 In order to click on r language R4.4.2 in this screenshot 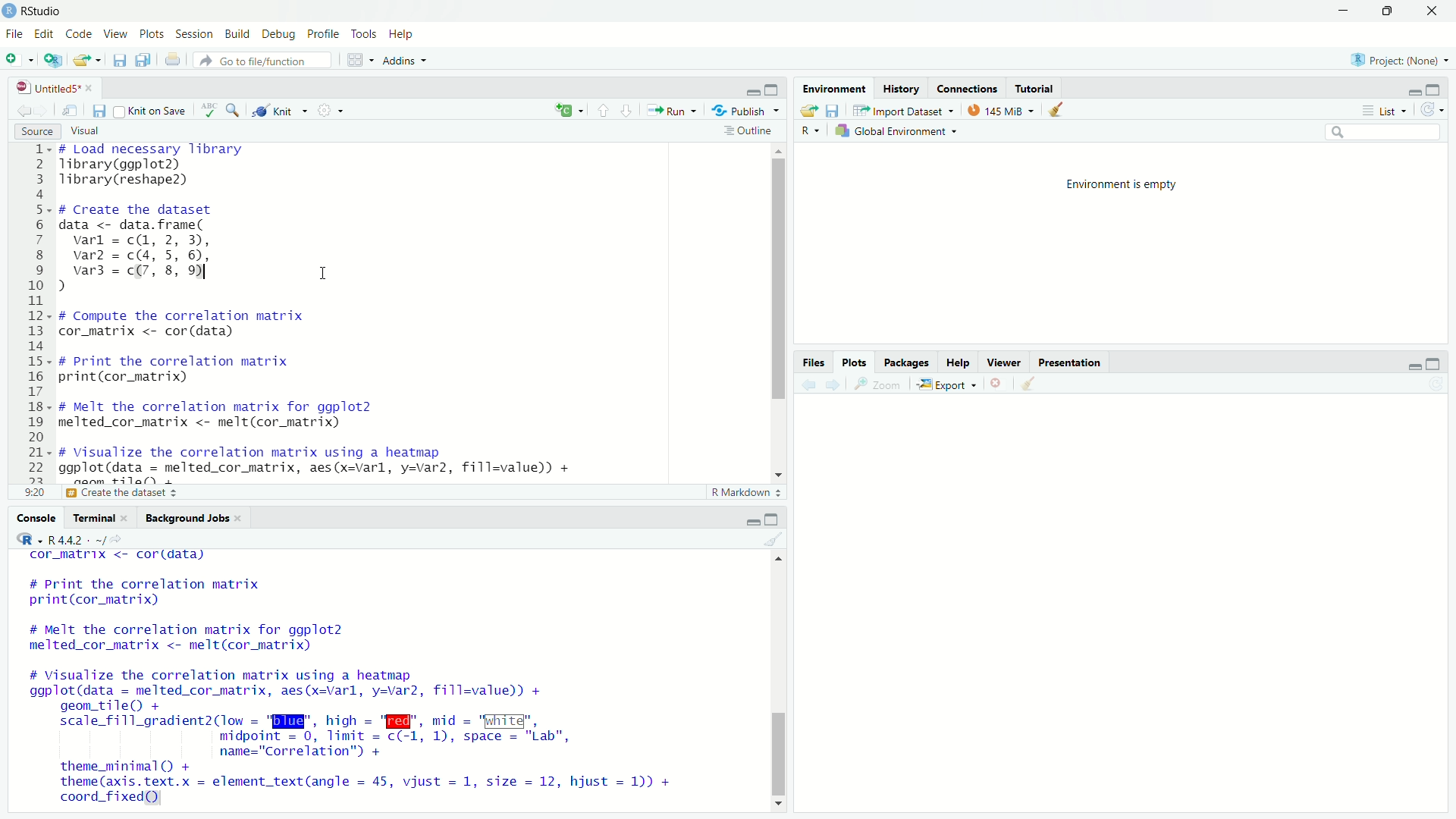, I will do `click(86, 539)`.